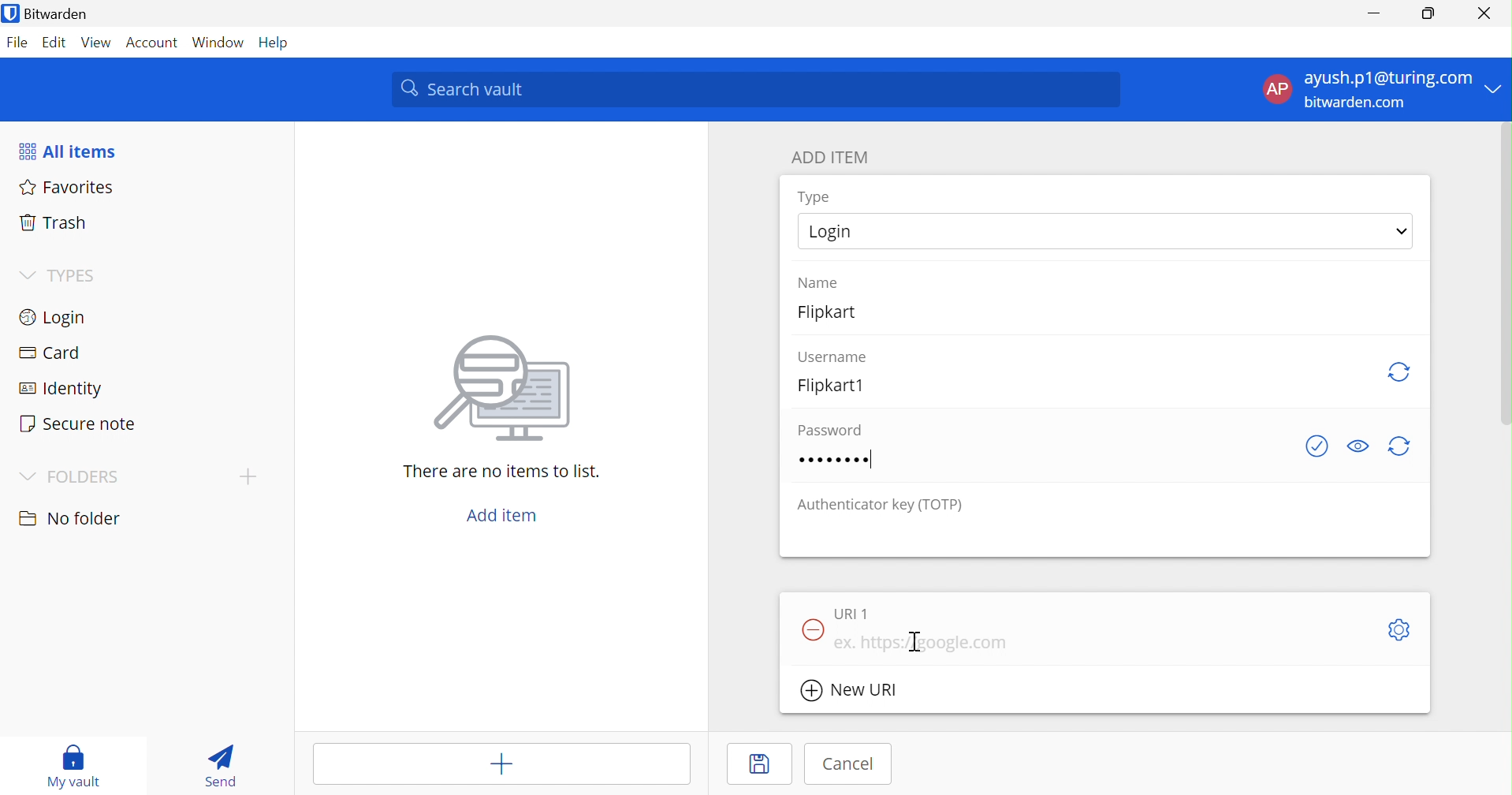 The width and height of the screenshot is (1512, 795). What do you see at coordinates (84, 478) in the screenshot?
I see `FOLDERS` at bounding box center [84, 478].